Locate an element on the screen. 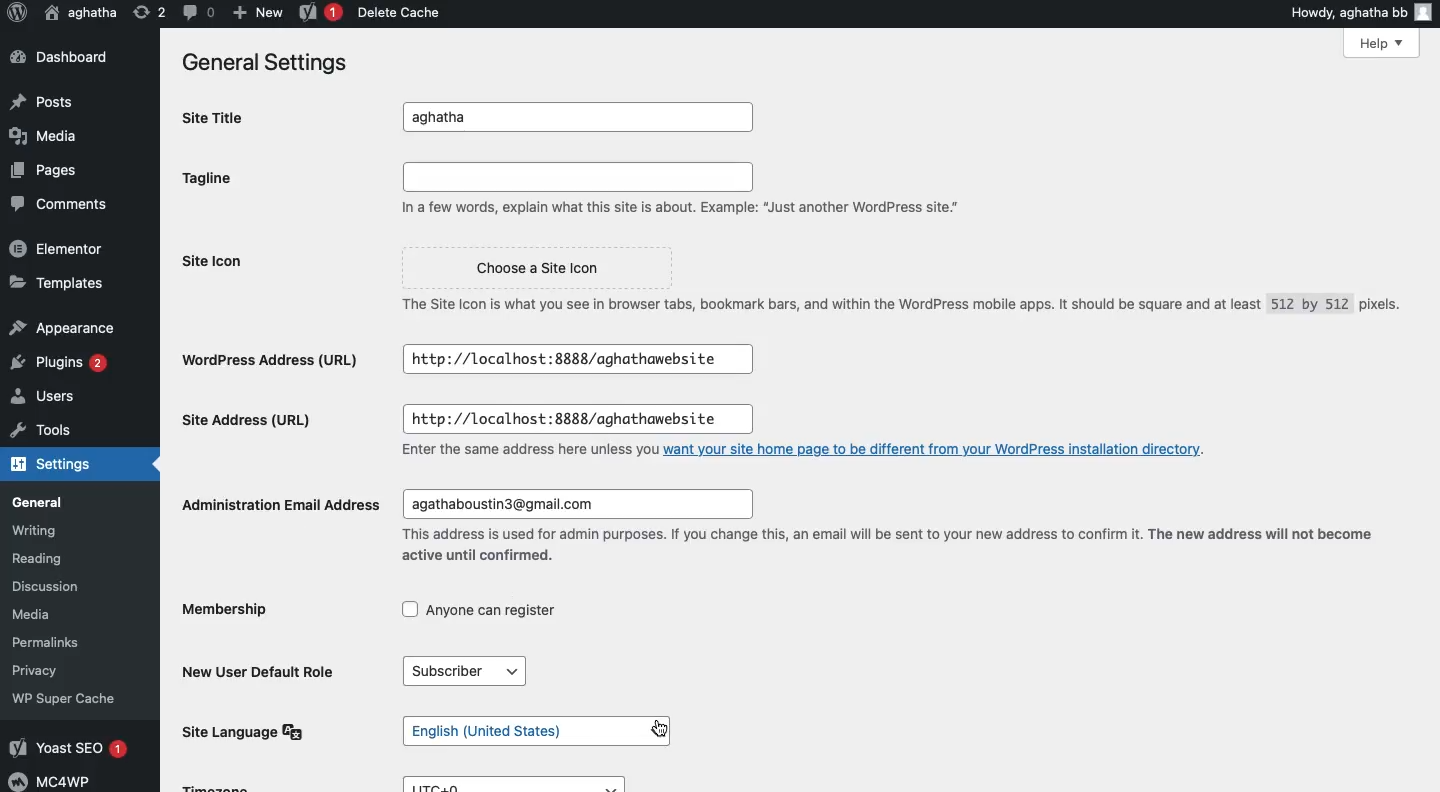 The height and width of the screenshot is (792, 1440). Appearance is located at coordinates (60, 325).